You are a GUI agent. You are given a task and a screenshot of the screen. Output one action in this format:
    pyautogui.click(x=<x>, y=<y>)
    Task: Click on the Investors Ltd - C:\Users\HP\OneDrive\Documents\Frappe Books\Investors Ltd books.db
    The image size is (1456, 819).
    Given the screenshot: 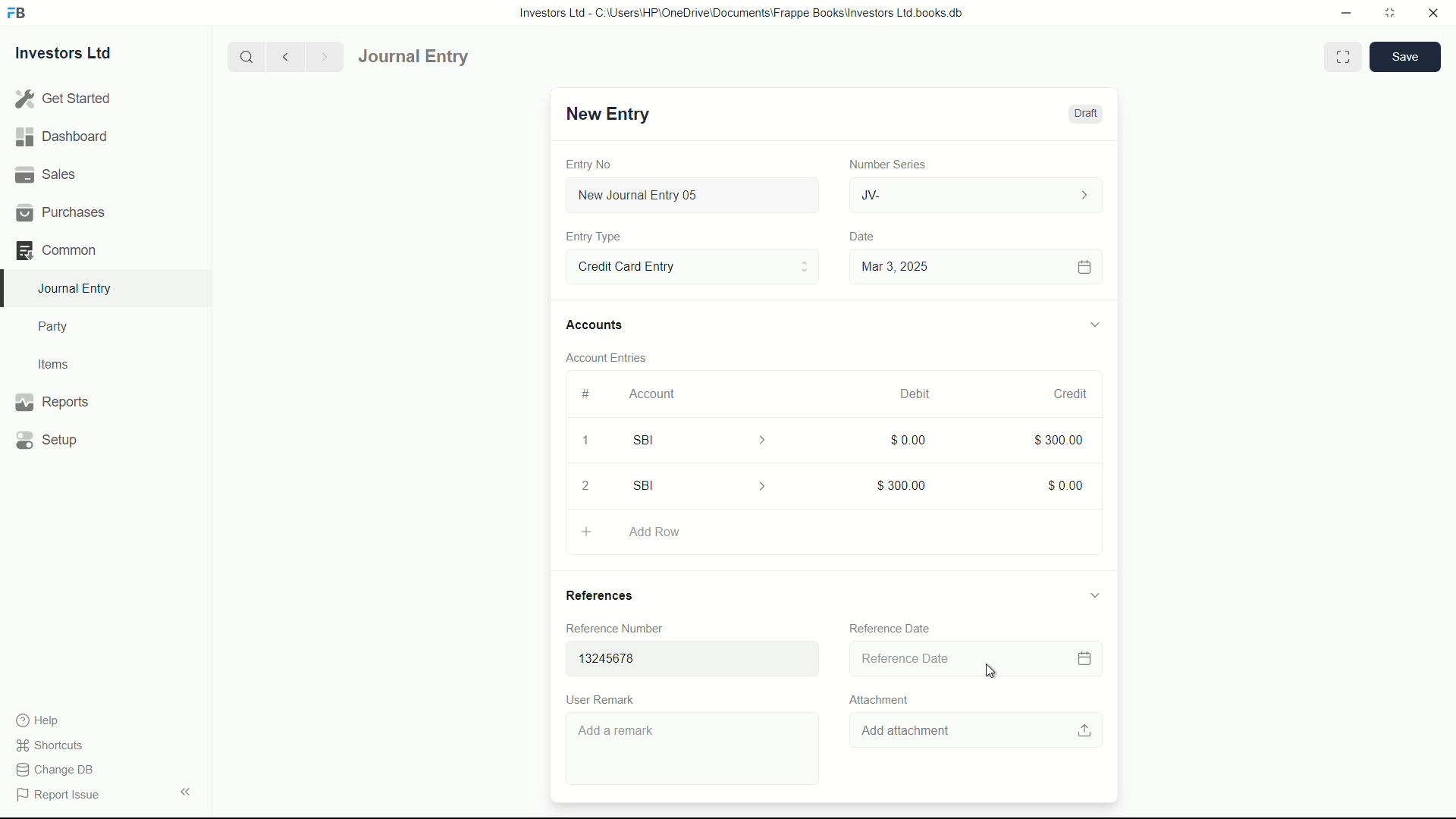 What is the action you would take?
    pyautogui.click(x=743, y=12)
    